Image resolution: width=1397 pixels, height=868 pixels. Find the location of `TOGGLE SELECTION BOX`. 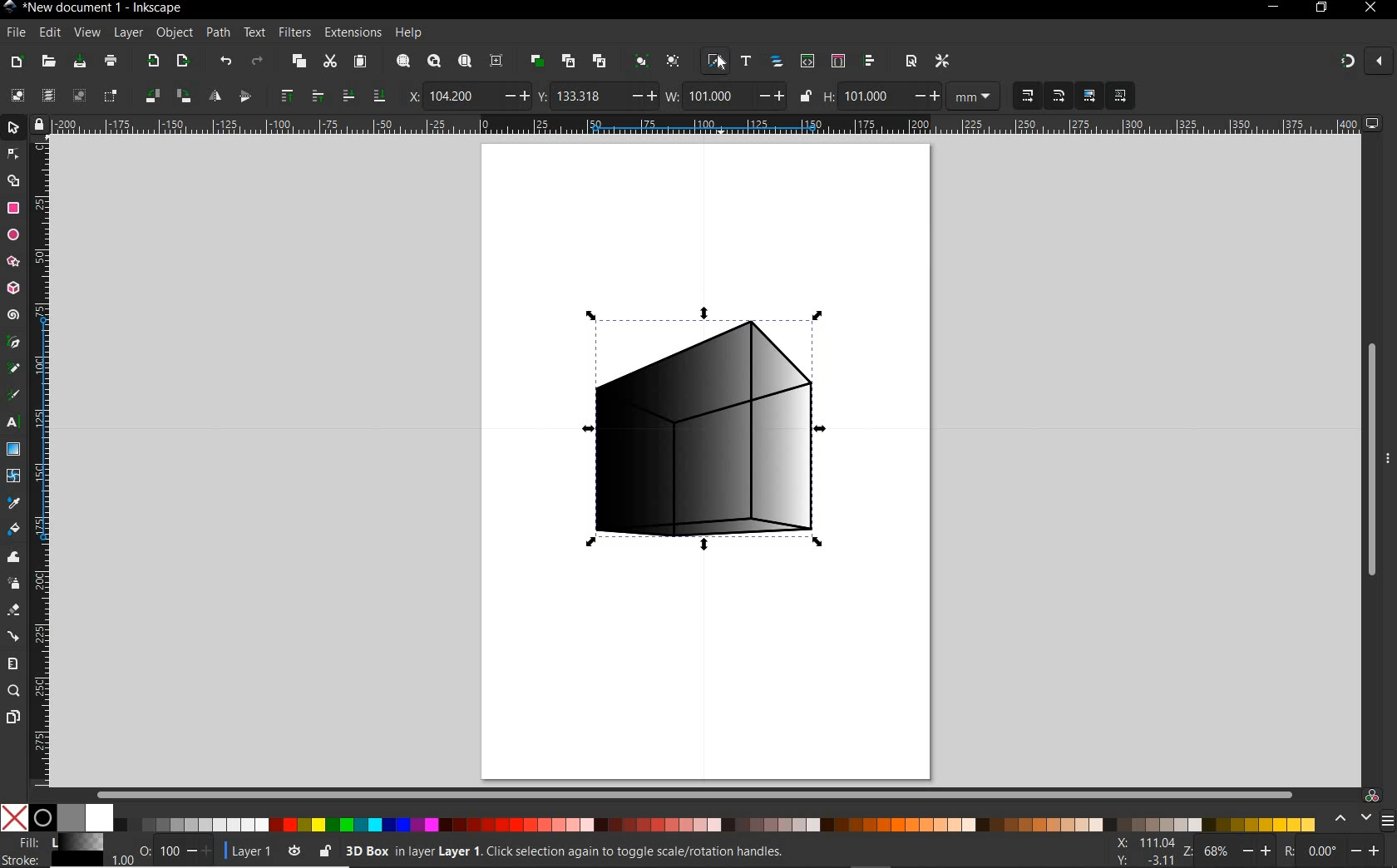

TOGGLE SELECTION BOX is located at coordinates (111, 95).